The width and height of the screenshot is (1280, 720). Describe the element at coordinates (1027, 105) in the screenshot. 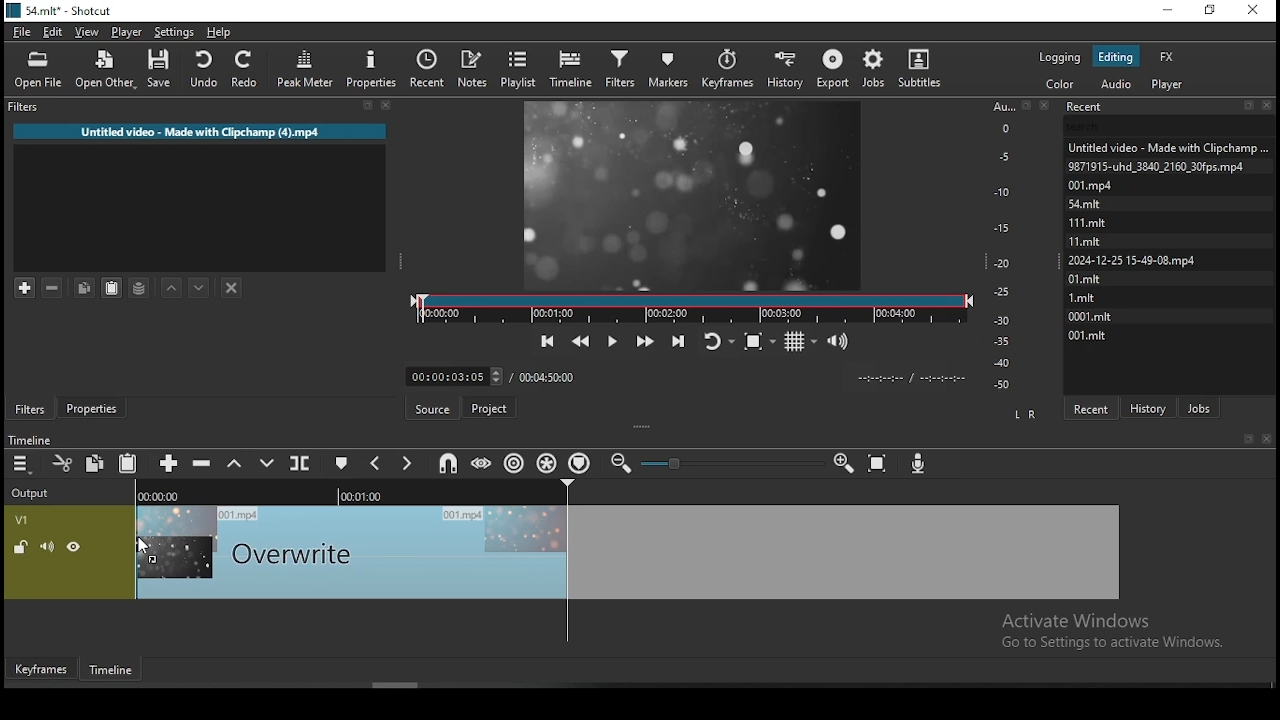

I see `Detach` at that location.